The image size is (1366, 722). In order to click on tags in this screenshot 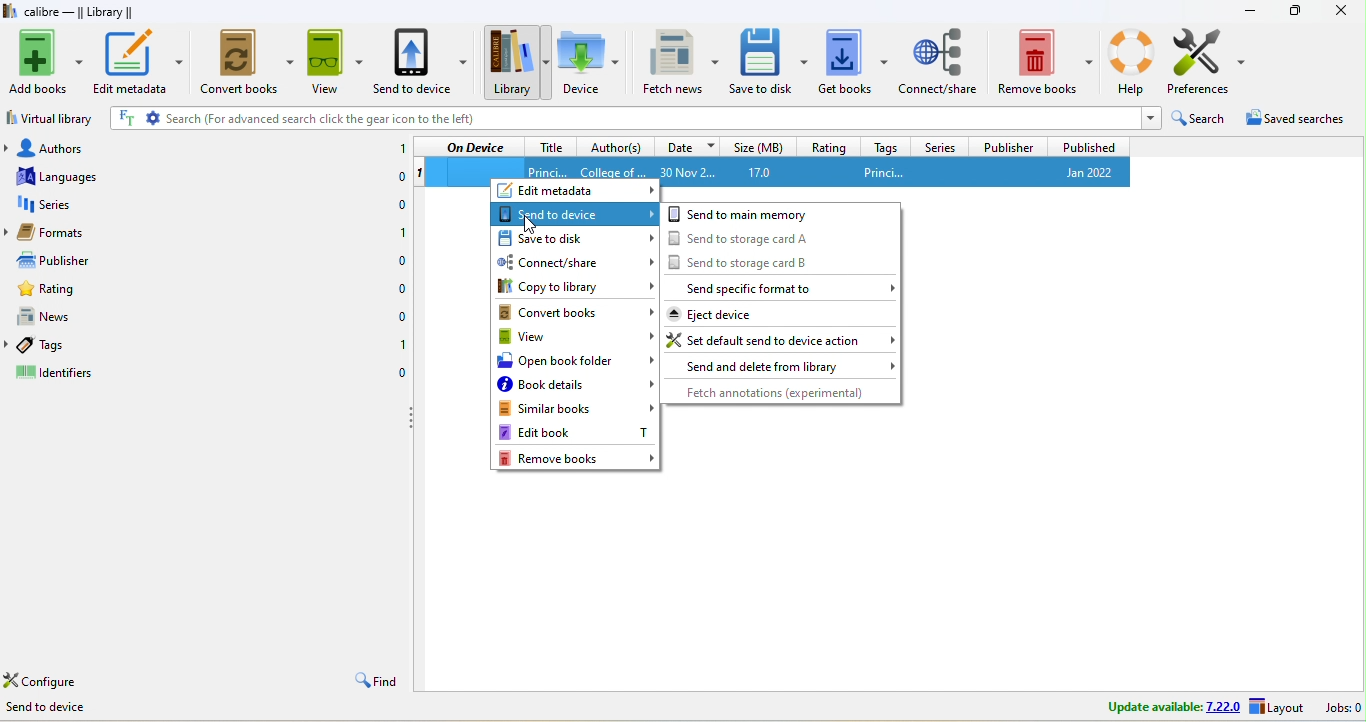, I will do `click(882, 146)`.